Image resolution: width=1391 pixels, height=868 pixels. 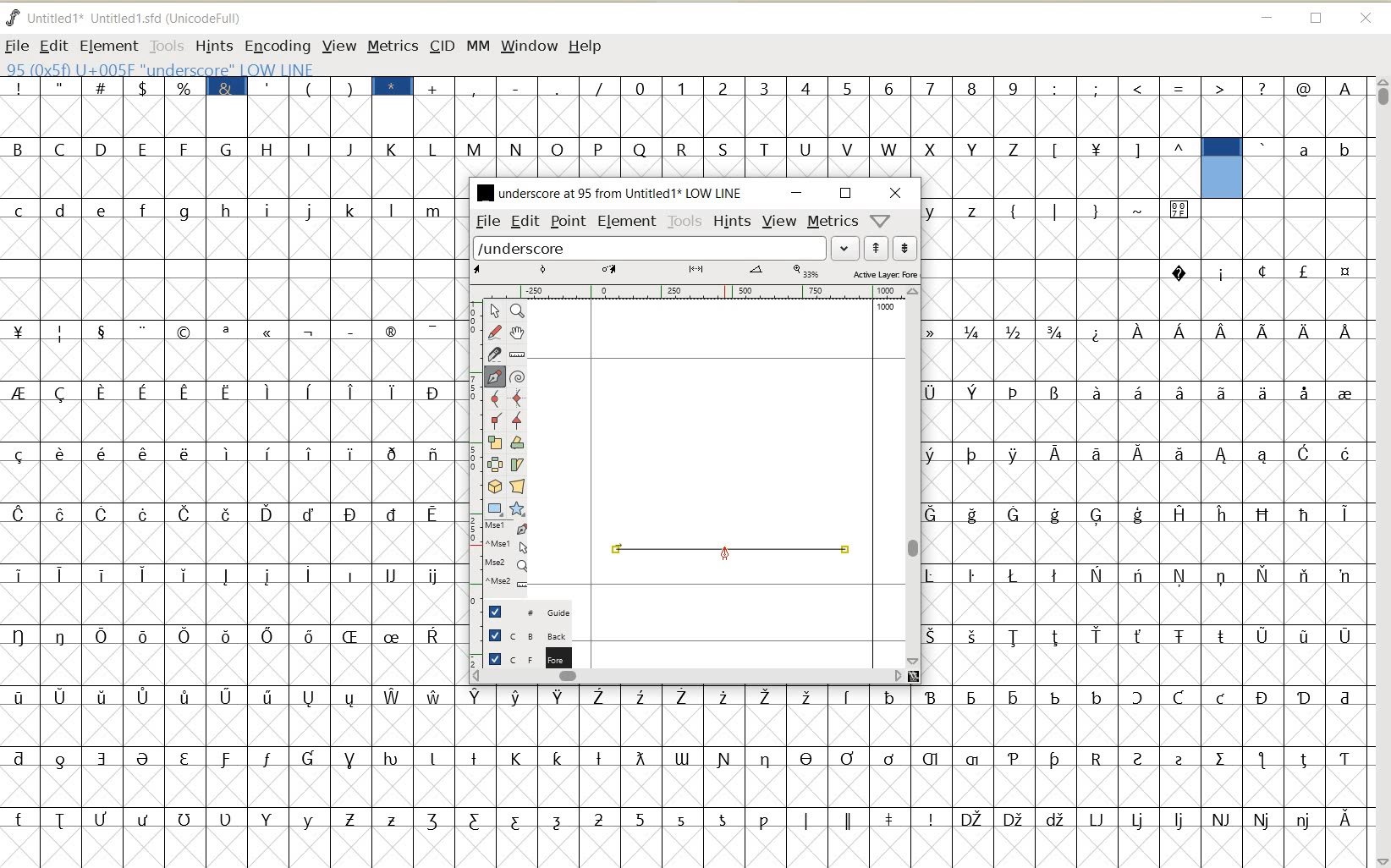 What do you see at coordinates (731, 554) in the screenshot?
I see `an underscore with a unique twist creation` at bounding box center [731, 554].